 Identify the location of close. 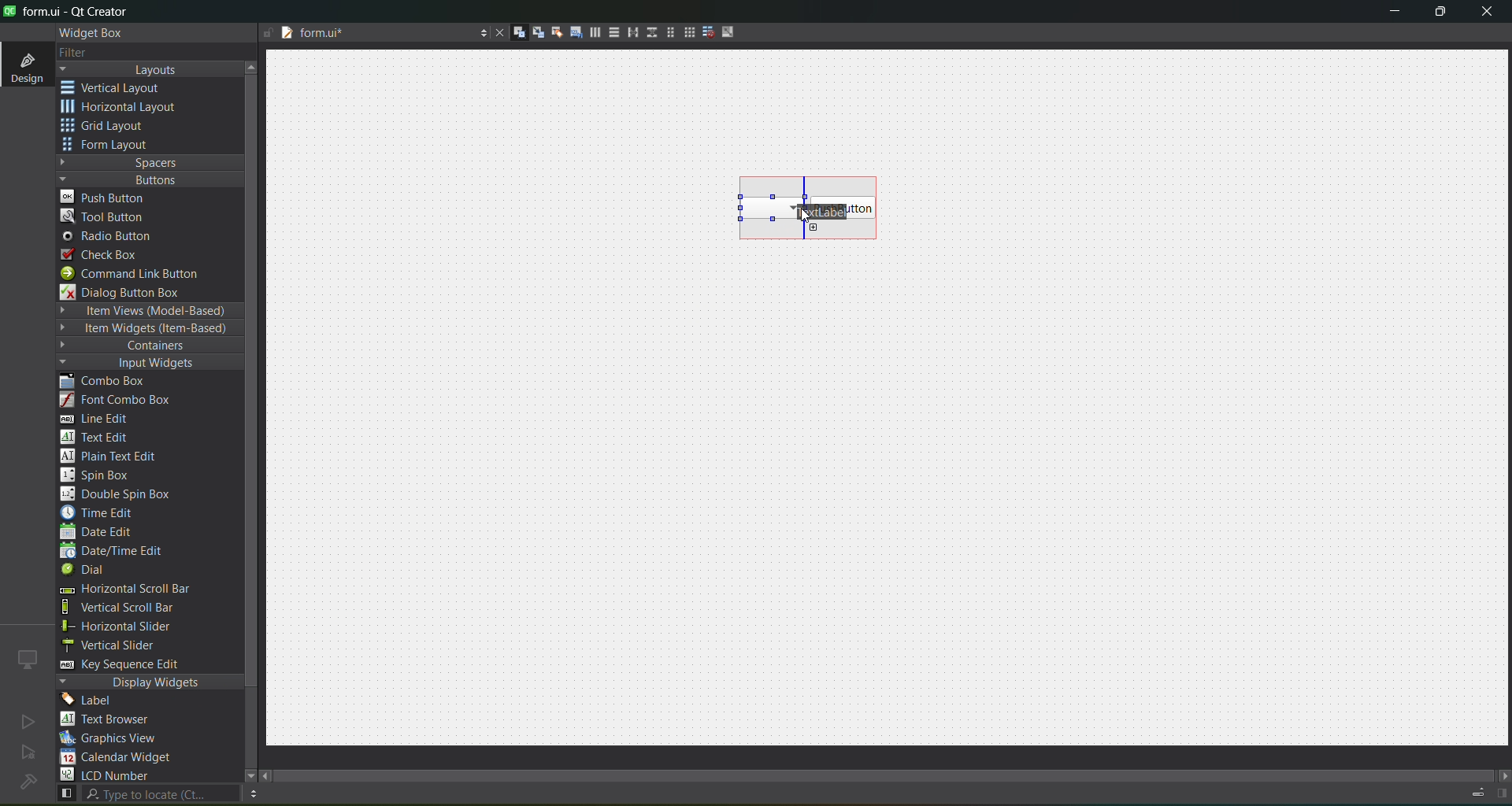
(1487, 13).